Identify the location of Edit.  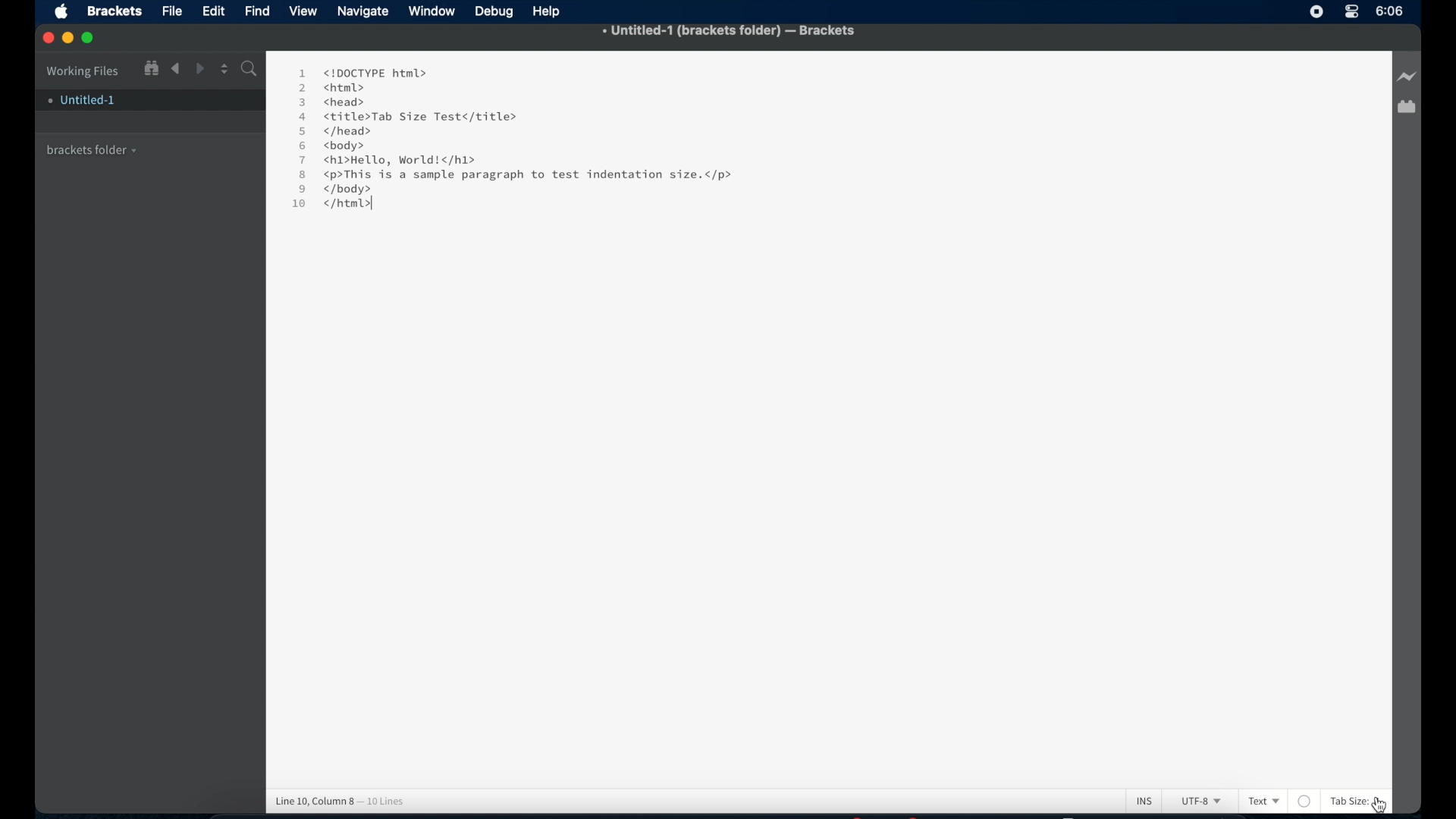
(216, 11).